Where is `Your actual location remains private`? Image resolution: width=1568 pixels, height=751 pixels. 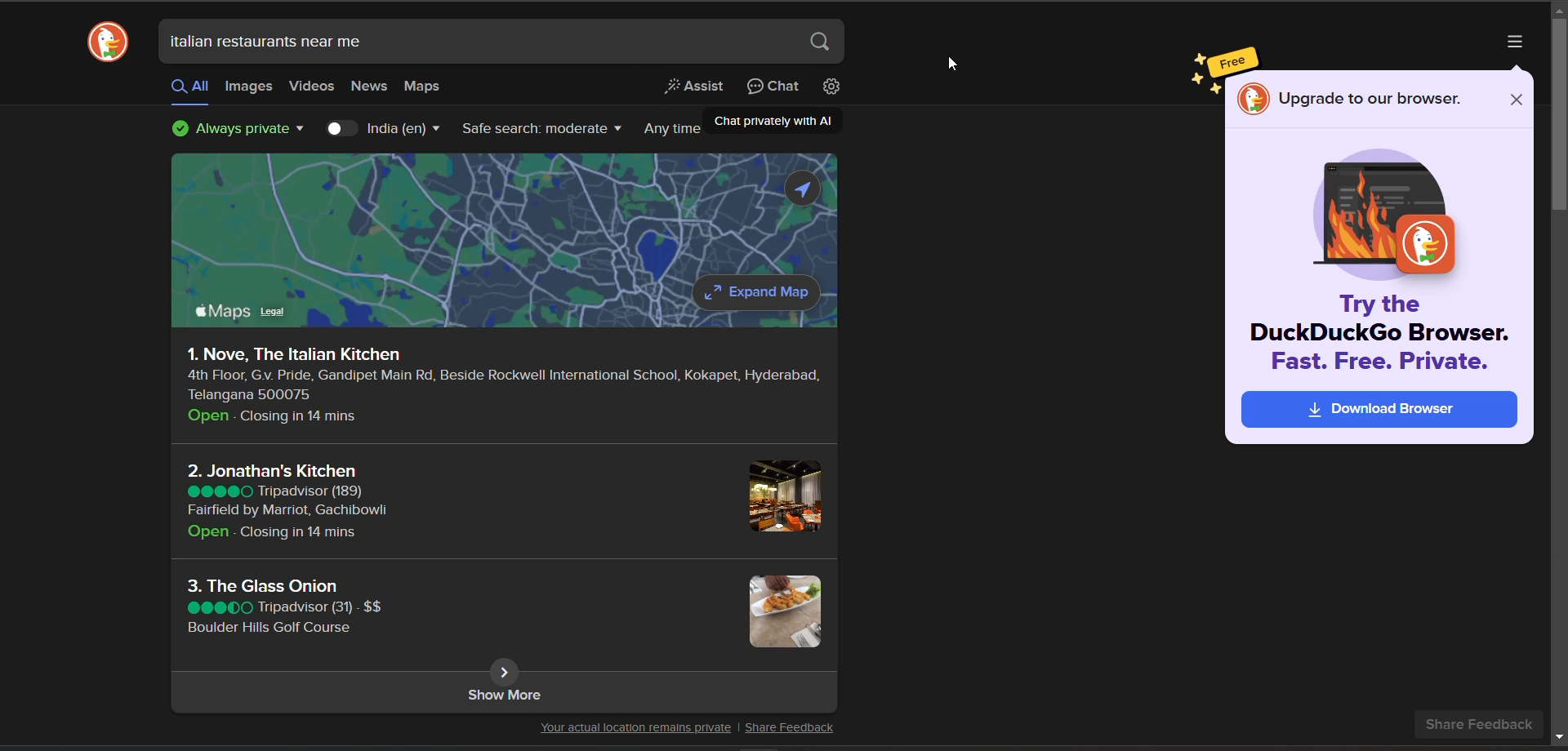
Your actual location remains private is located at coordinates (635, 728).